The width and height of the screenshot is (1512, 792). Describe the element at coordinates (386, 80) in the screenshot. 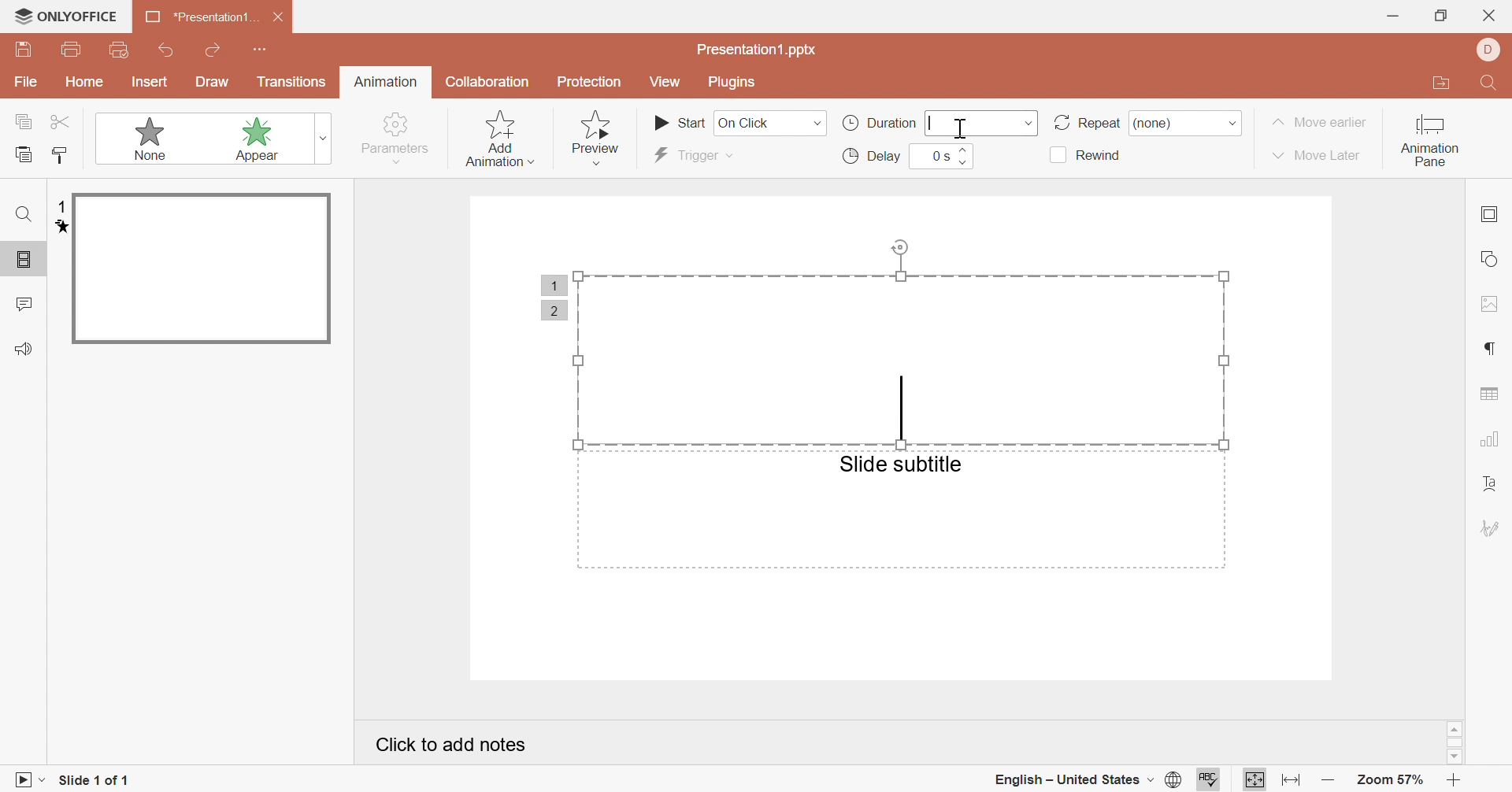

I see `animation` at that location.